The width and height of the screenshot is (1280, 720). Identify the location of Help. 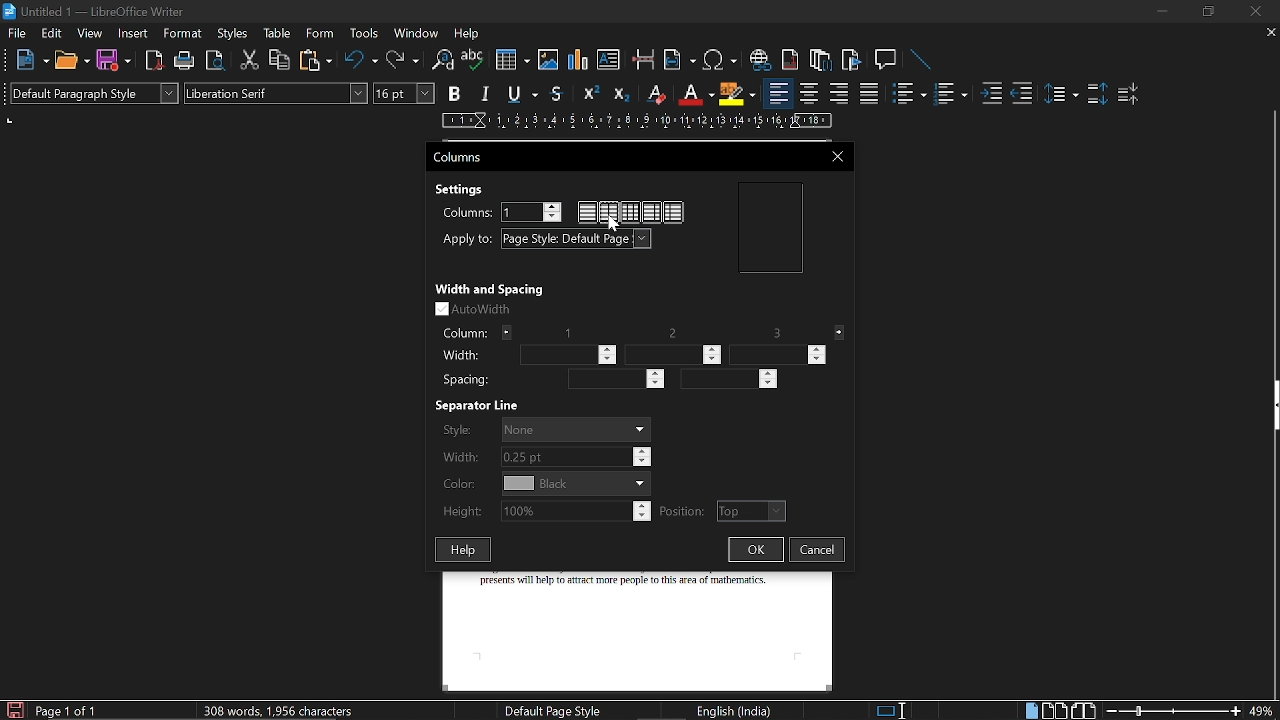
(461, 547).